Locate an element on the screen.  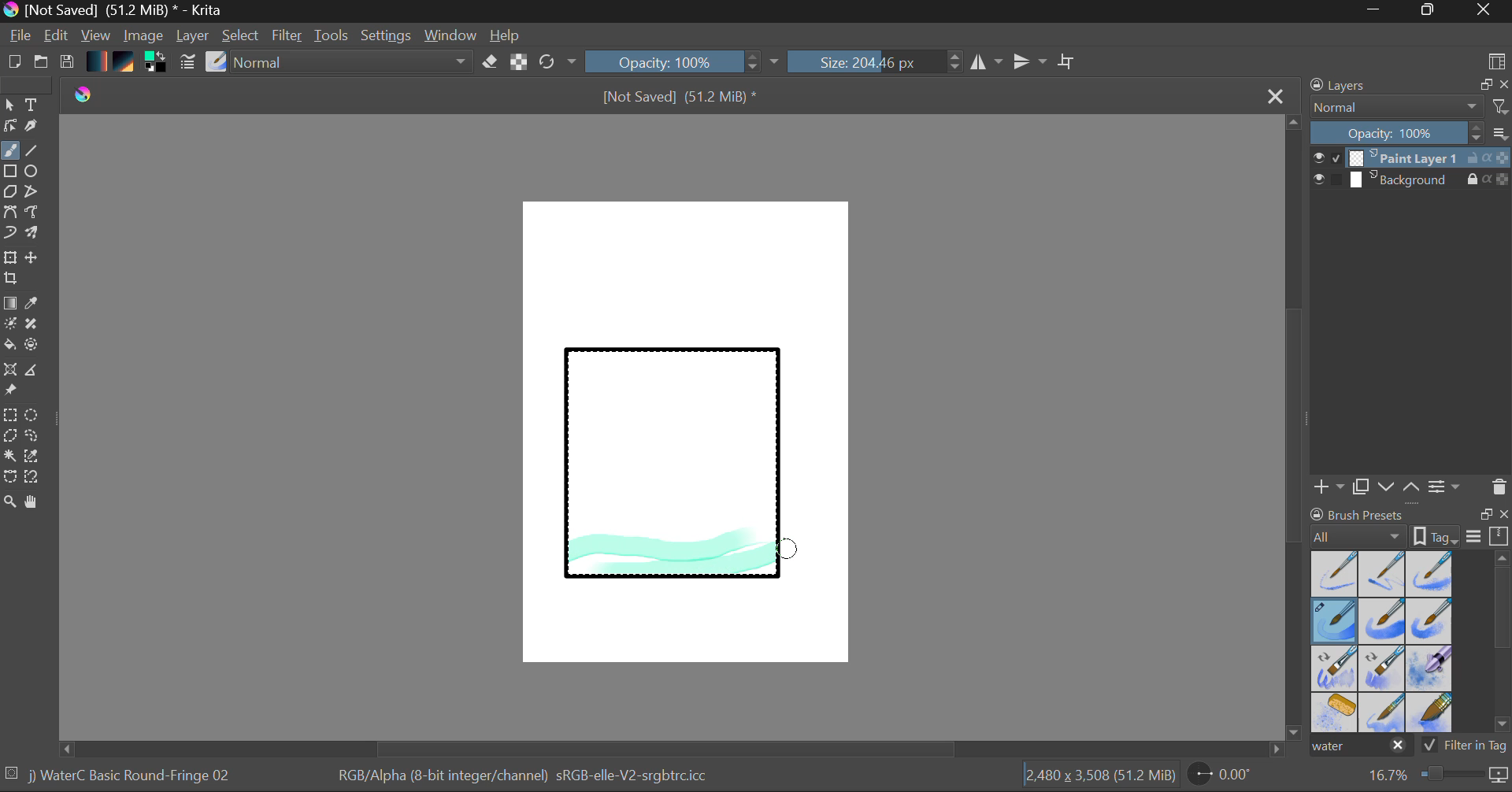
Eraser is located at coordinates (491, 62).